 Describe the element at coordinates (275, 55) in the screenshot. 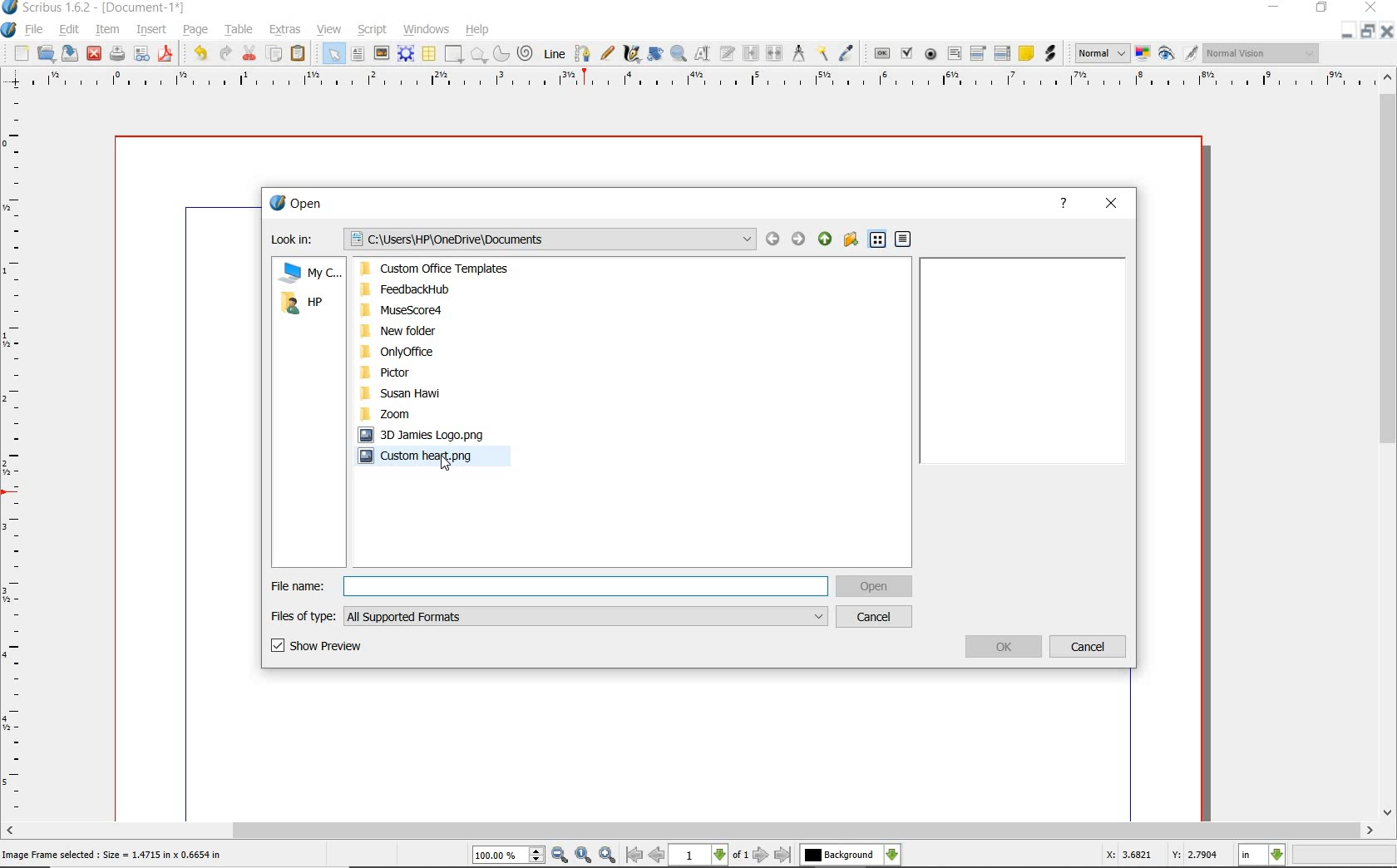

I see `copy` at that location.